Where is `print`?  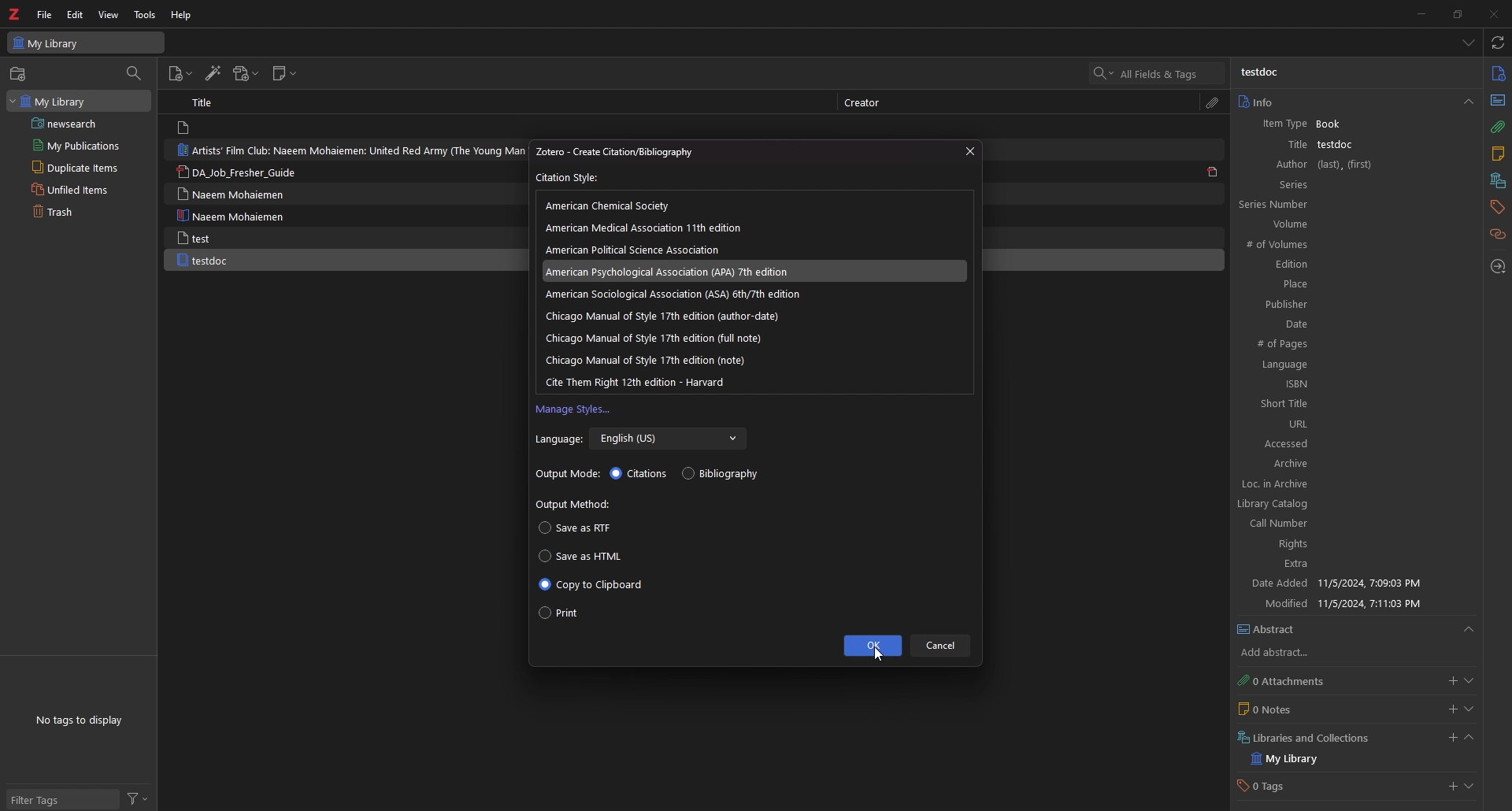 print is located at coordinates (559, 615).